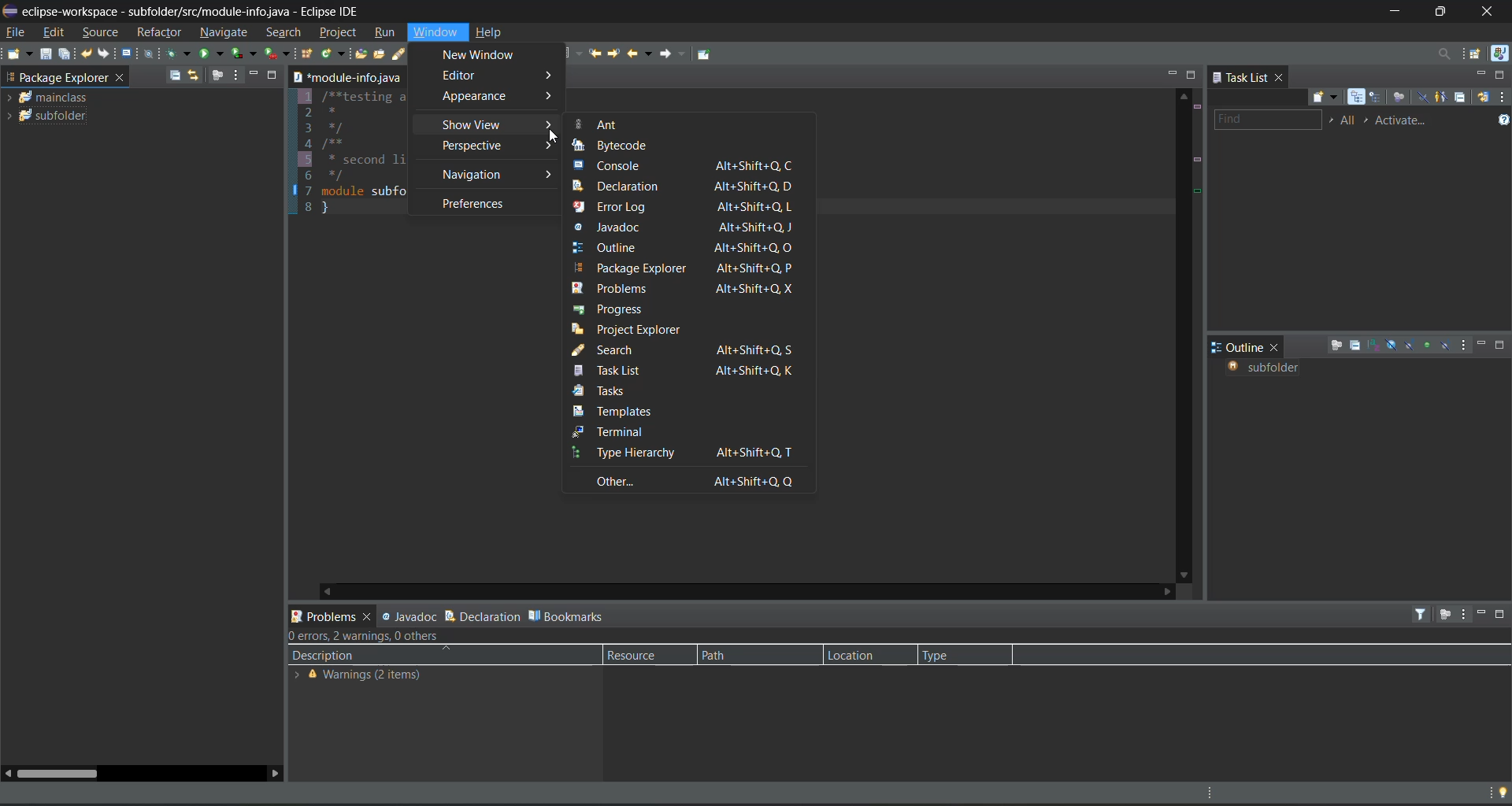  Describe the element at coordinates (1445, 614) in the screenshot. I see `focus on active task` at that location.